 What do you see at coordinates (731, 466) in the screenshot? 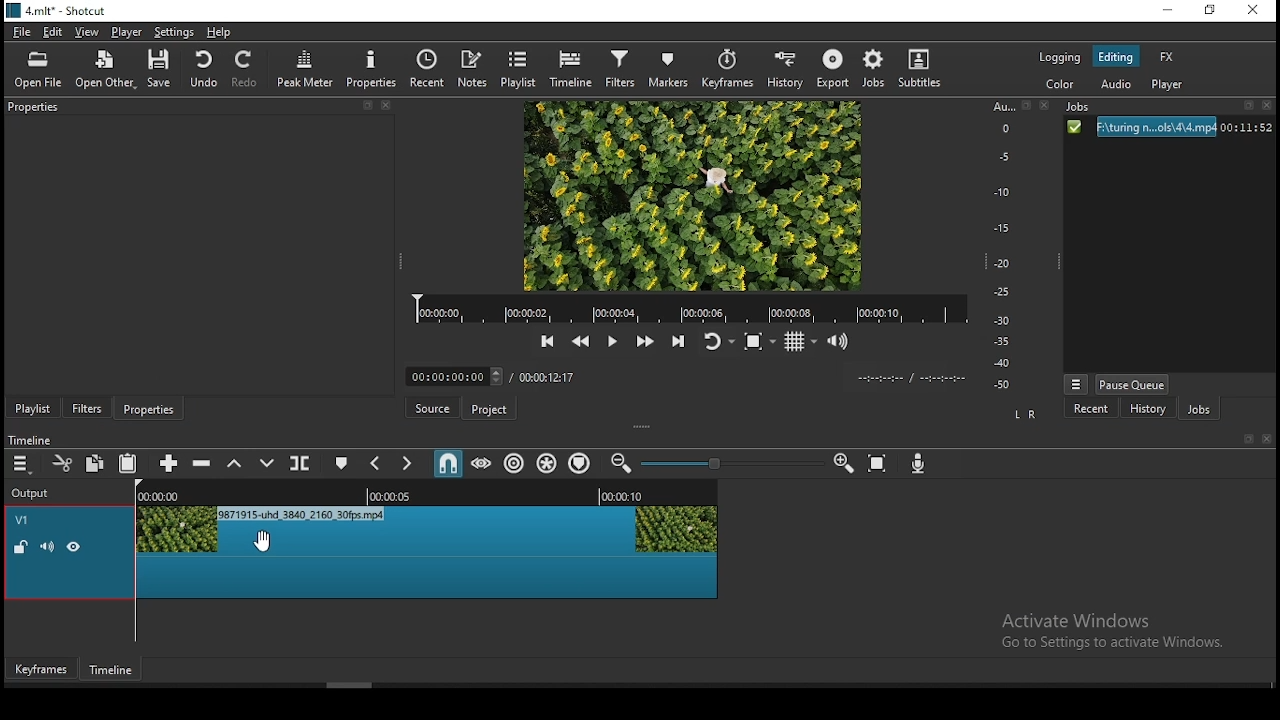
I see `zoom in or zoom out slider` at bounding box center [731, 466].